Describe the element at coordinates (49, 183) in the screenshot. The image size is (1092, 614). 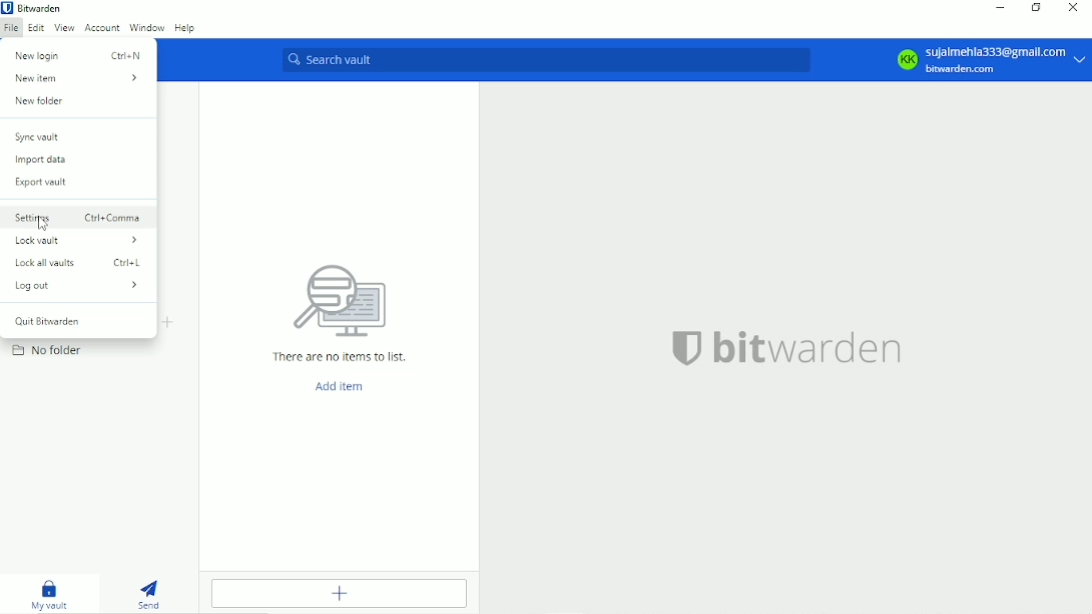
I see `Export vault` at that location.